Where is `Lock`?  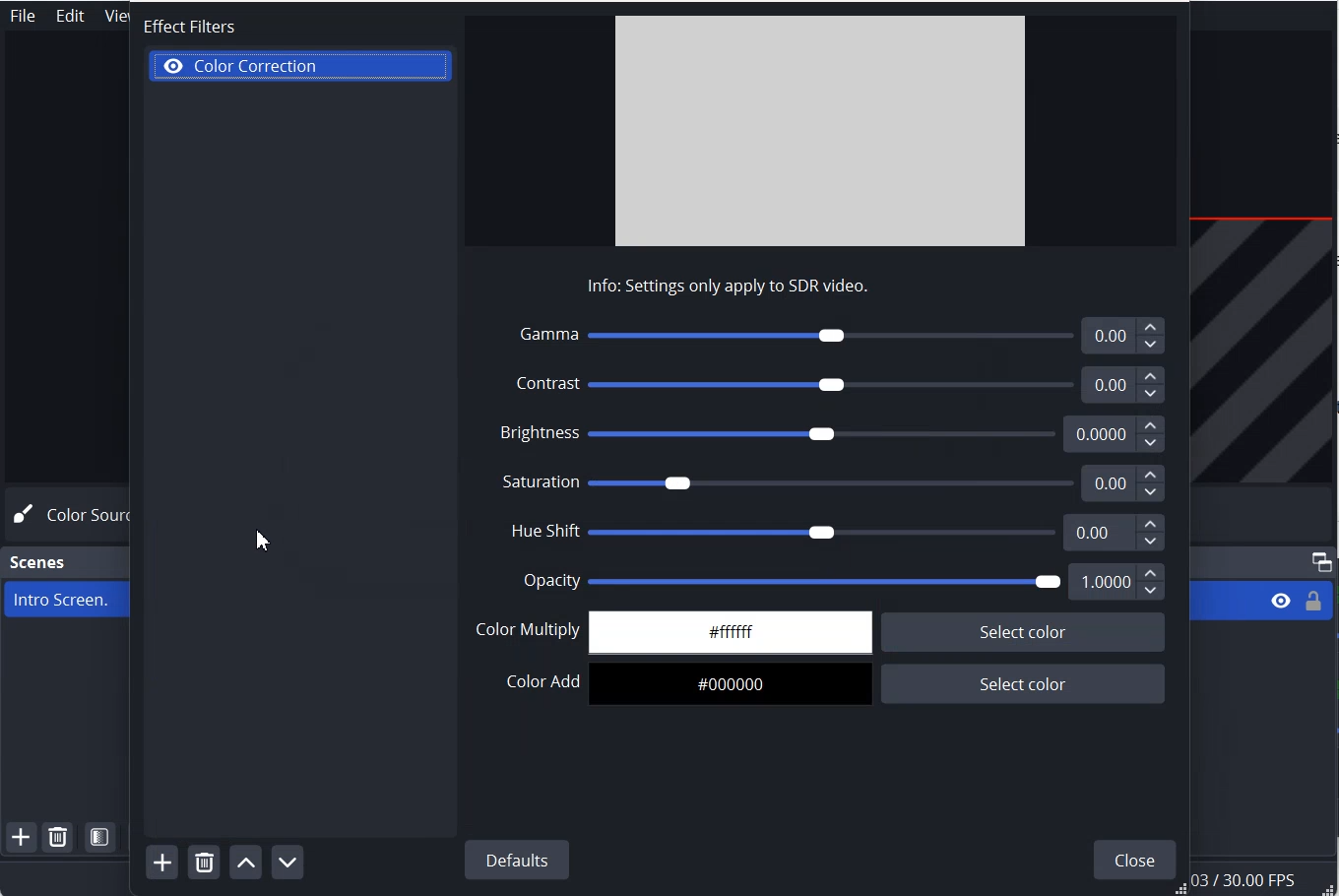 Lock is located at coordinates (1313, 601).